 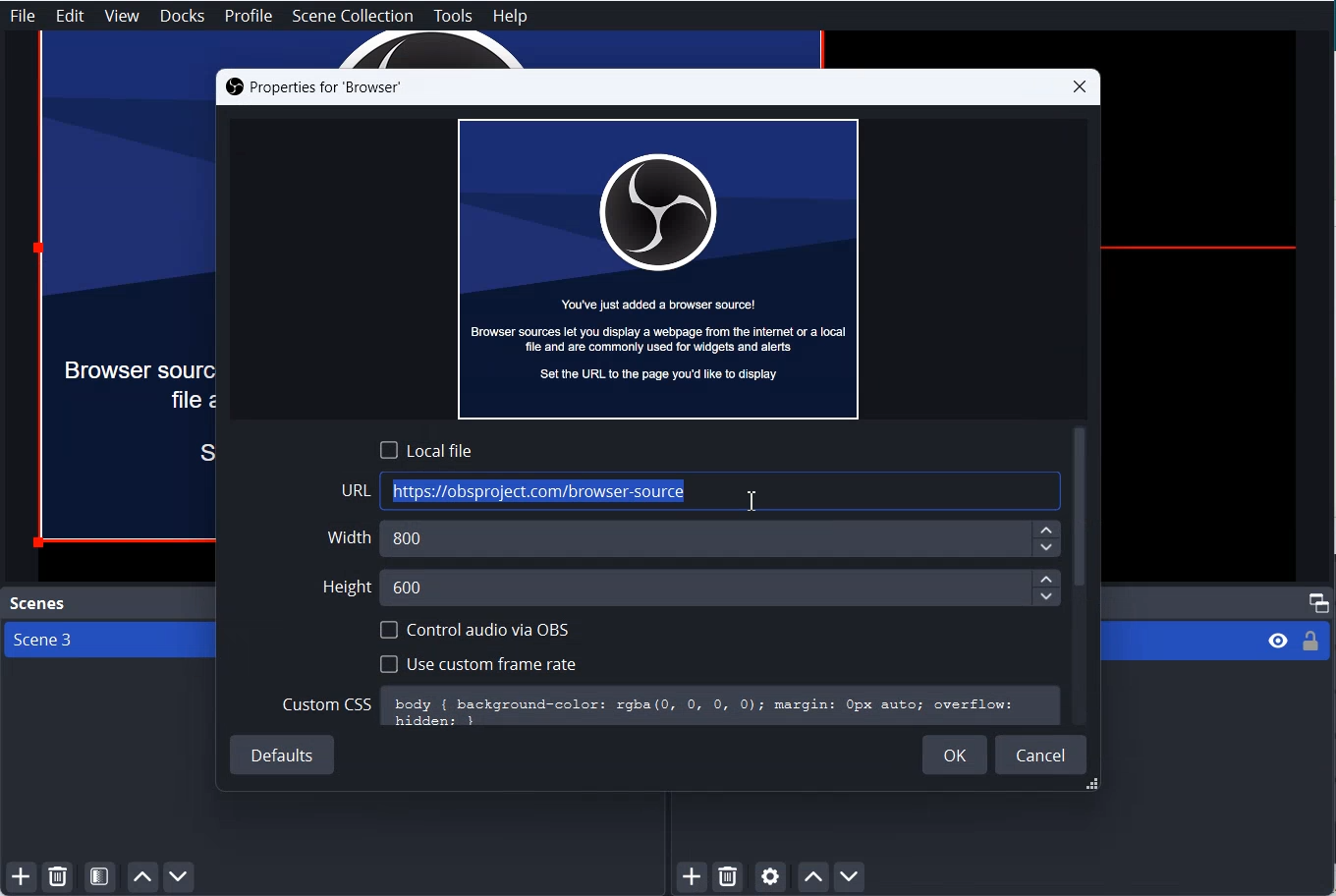 I want to click on Move scene up, so click(x=141, y=877).